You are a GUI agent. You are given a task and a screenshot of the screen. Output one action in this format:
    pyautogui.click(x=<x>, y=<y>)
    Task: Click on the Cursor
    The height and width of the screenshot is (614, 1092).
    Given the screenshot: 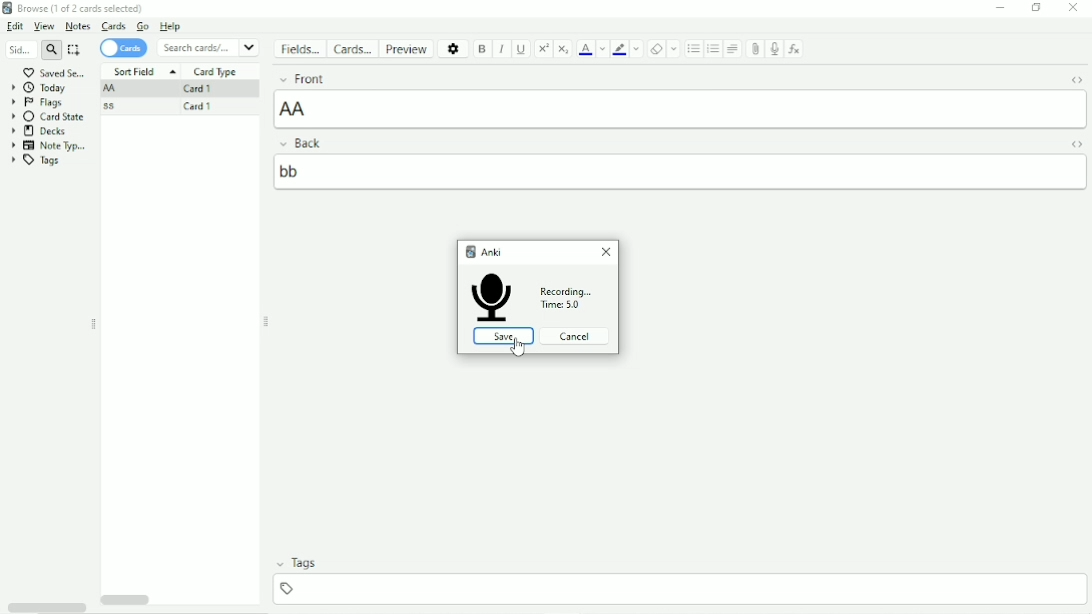 What is the action you would take?
    pyautogui.click(x=520, y=350)
    